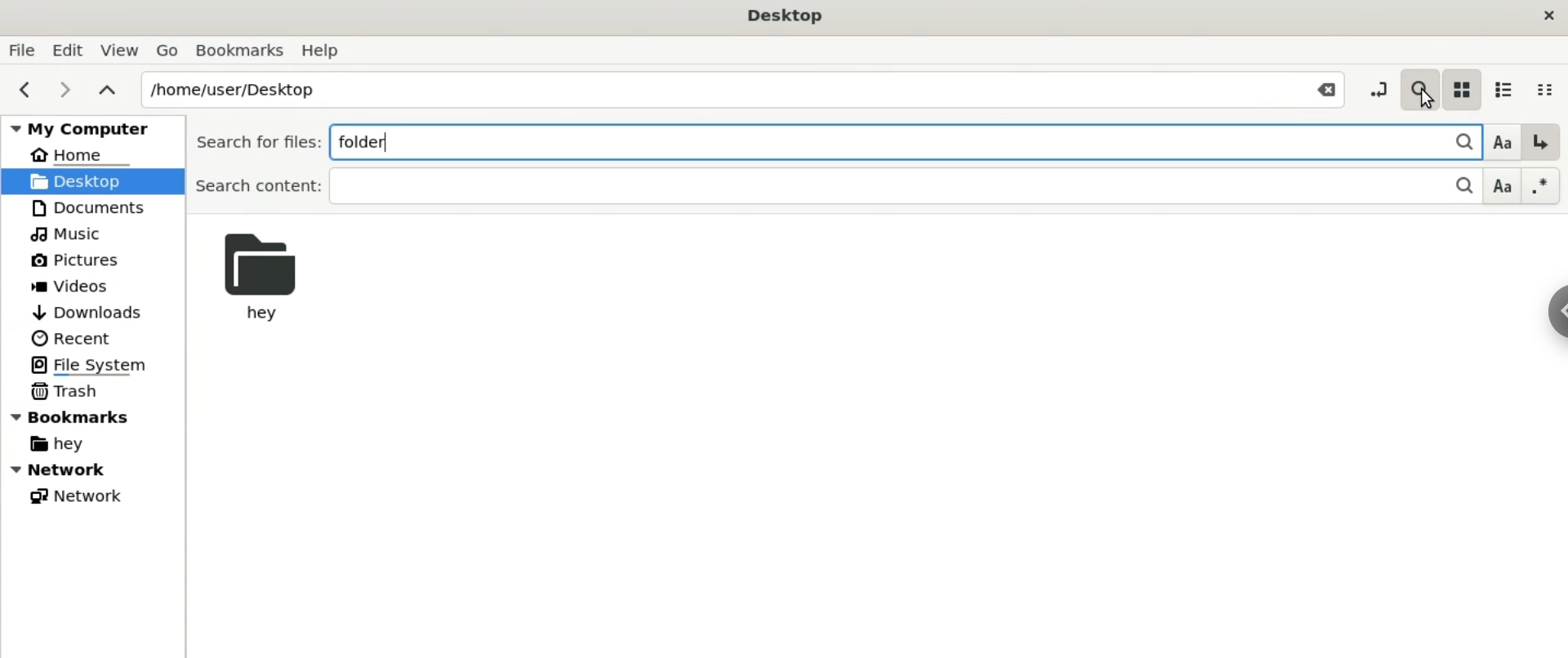 The height and width of the screenshot is (658, 1568). I want to click on Previous, so click(21, 90).